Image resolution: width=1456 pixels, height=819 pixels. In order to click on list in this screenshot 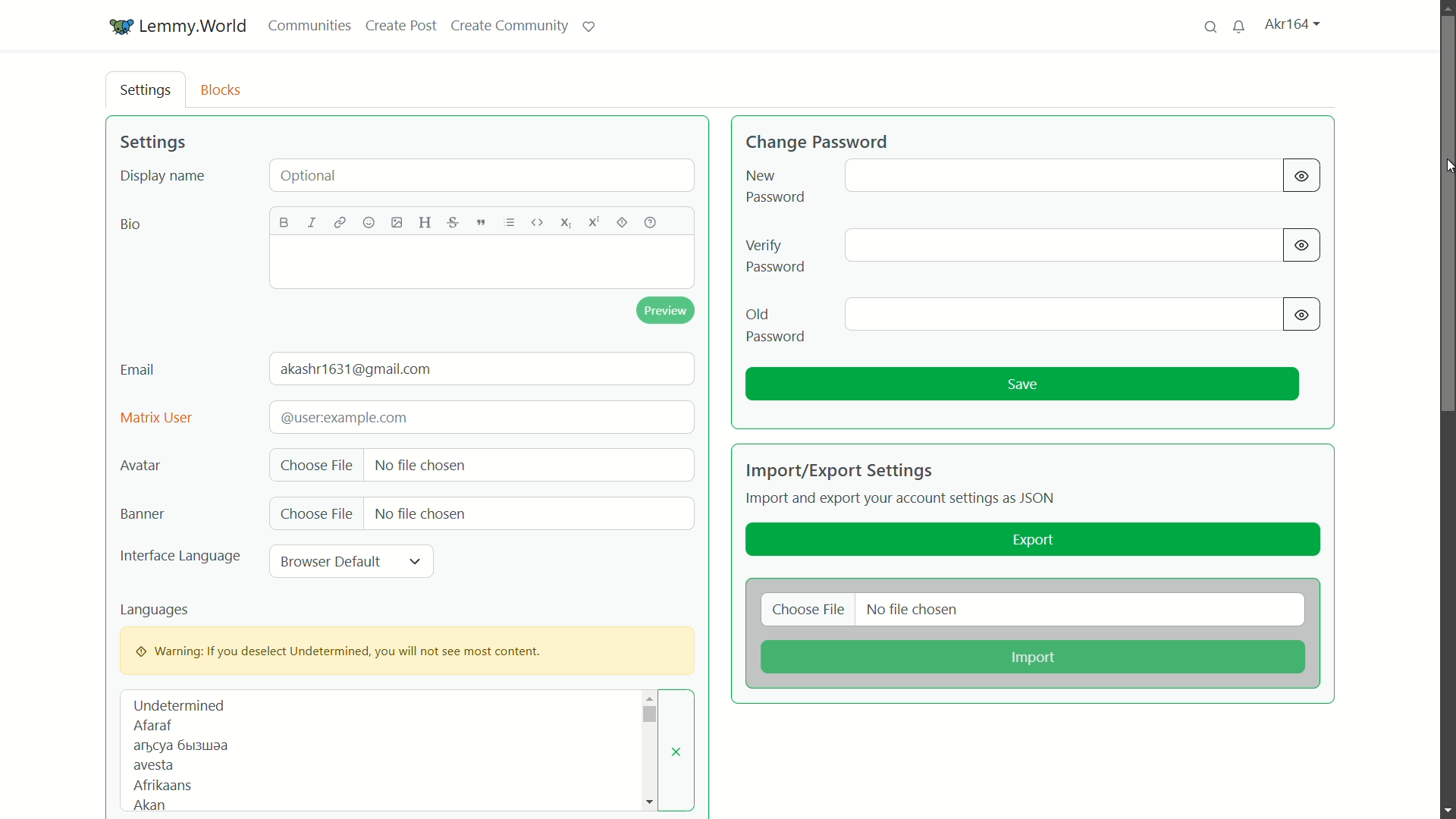, I will do `click(508, 222)`.